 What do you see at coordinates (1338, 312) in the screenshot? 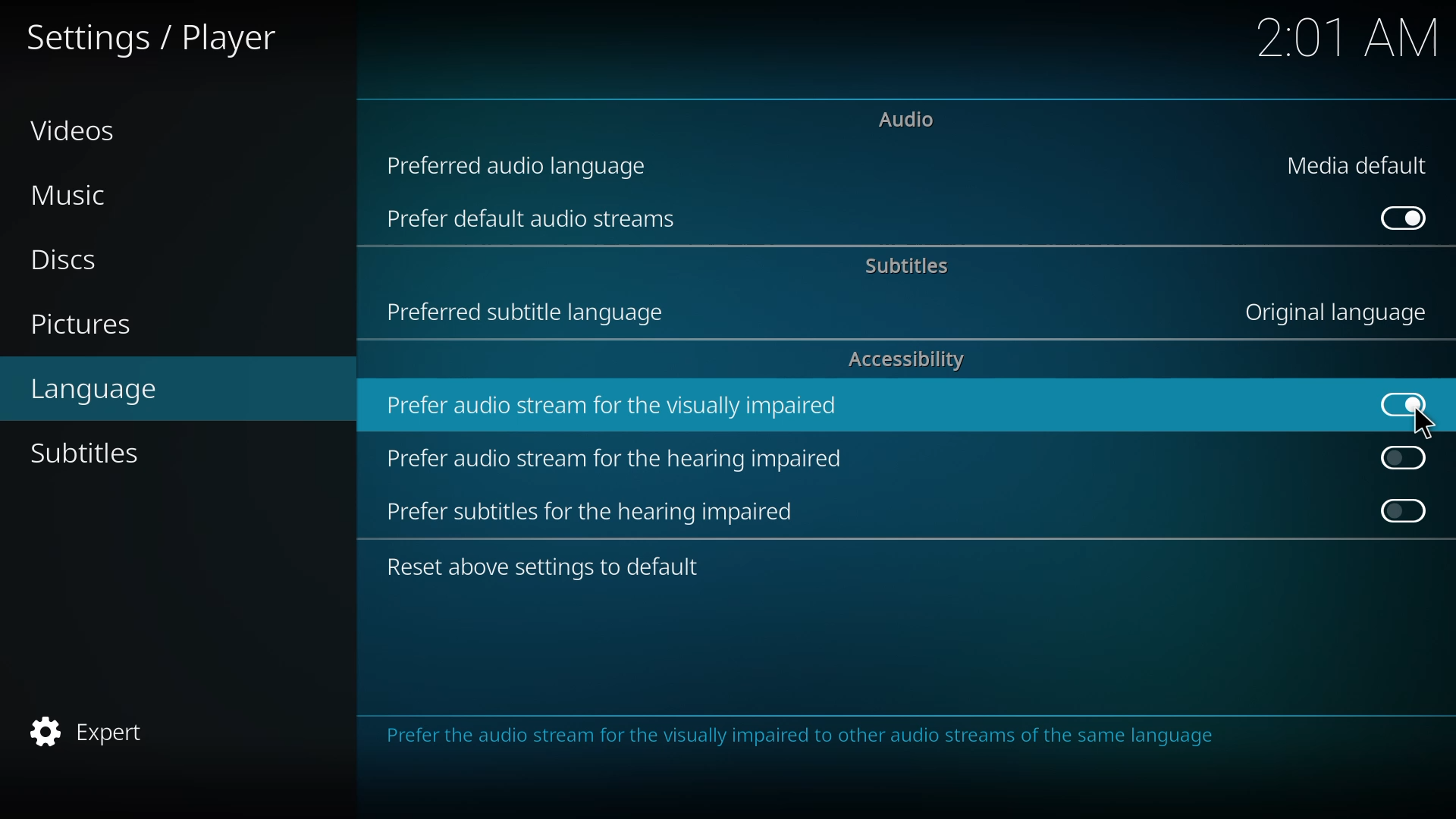
I see `language` at bounding box center [1338, 312].